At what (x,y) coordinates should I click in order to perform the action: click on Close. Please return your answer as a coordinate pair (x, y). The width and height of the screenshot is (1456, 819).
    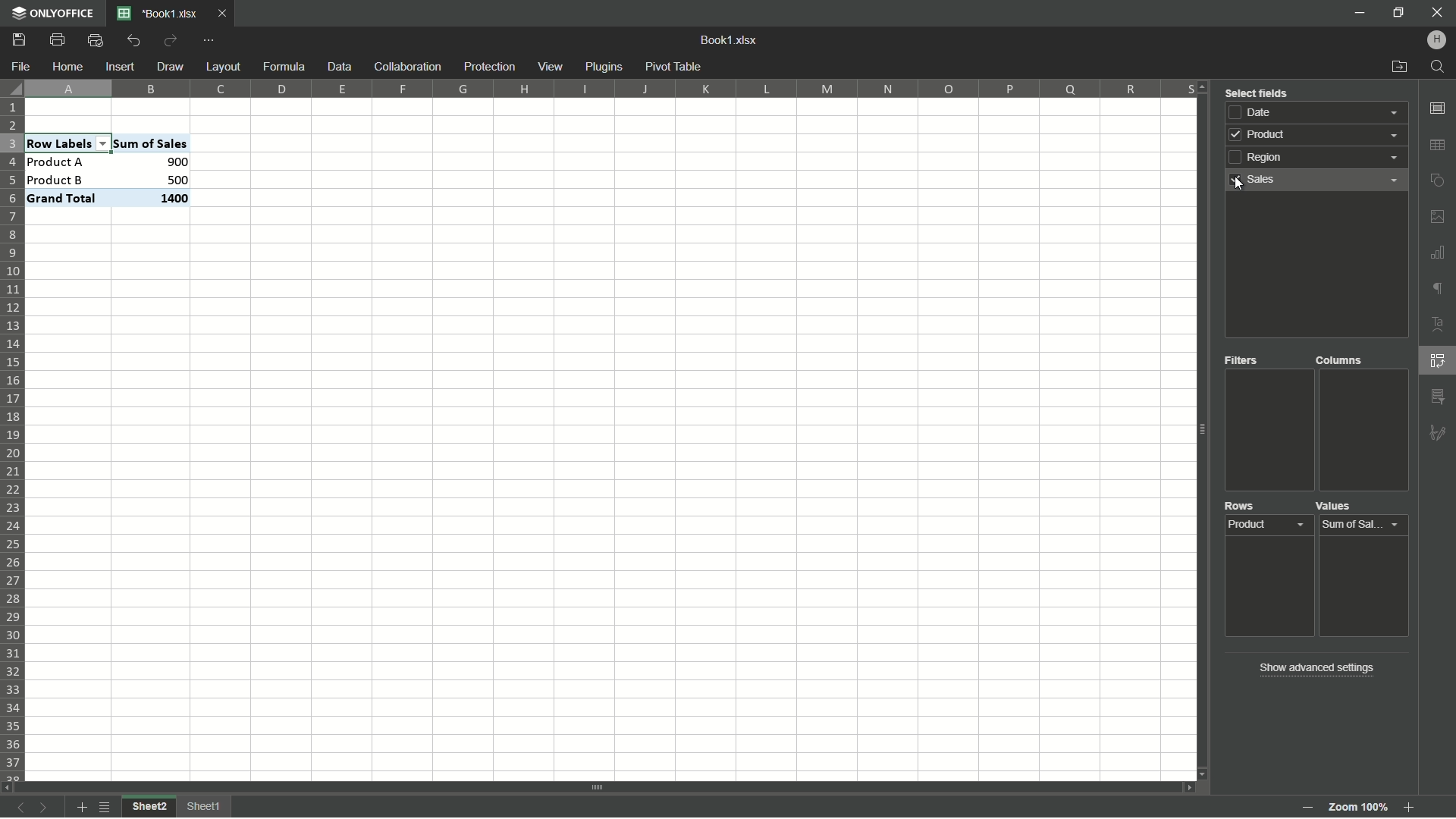
    Looking at the image, I should click on (225, 15).